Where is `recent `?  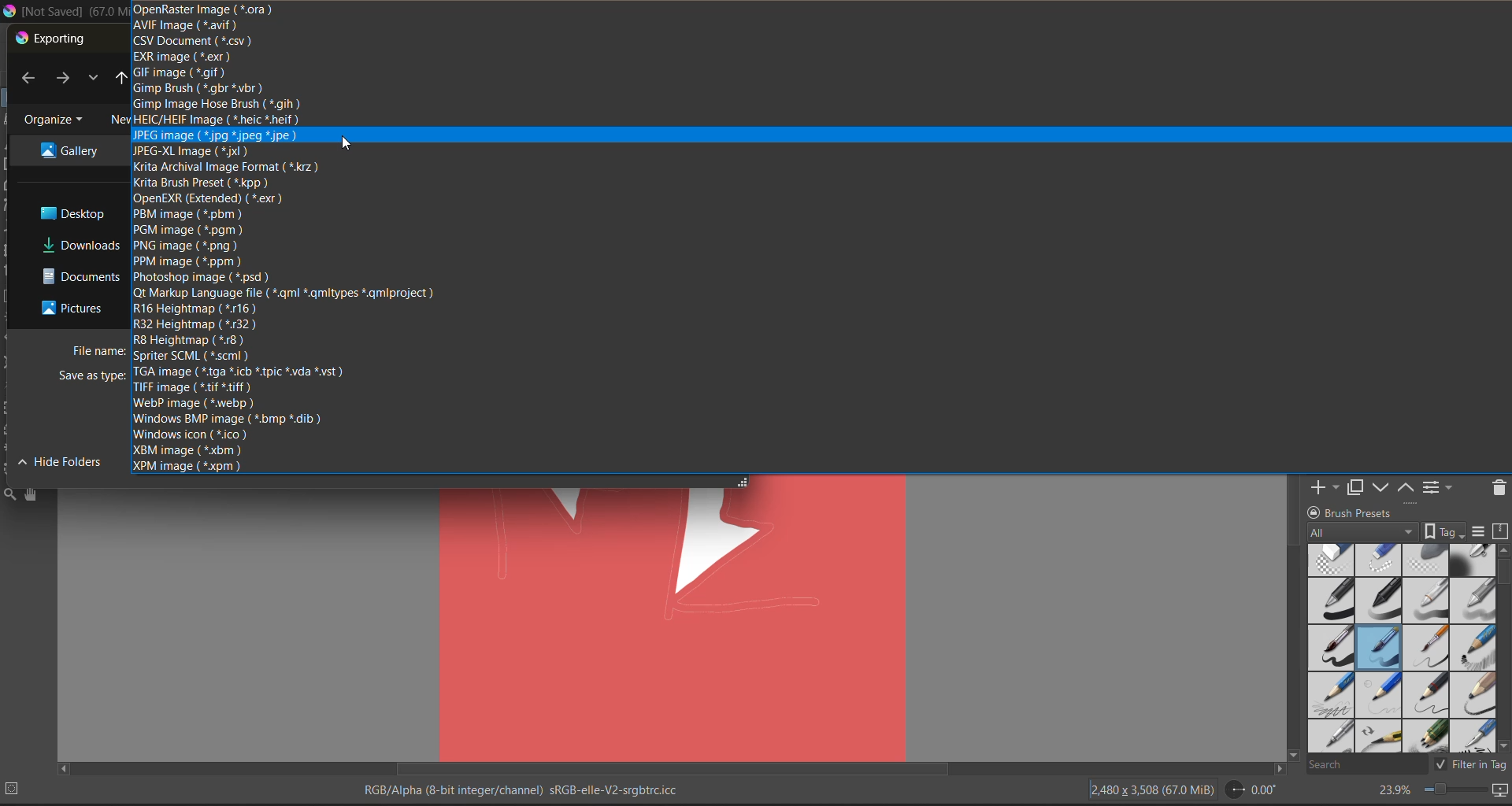
recent  is located at coordinates (94, 79).